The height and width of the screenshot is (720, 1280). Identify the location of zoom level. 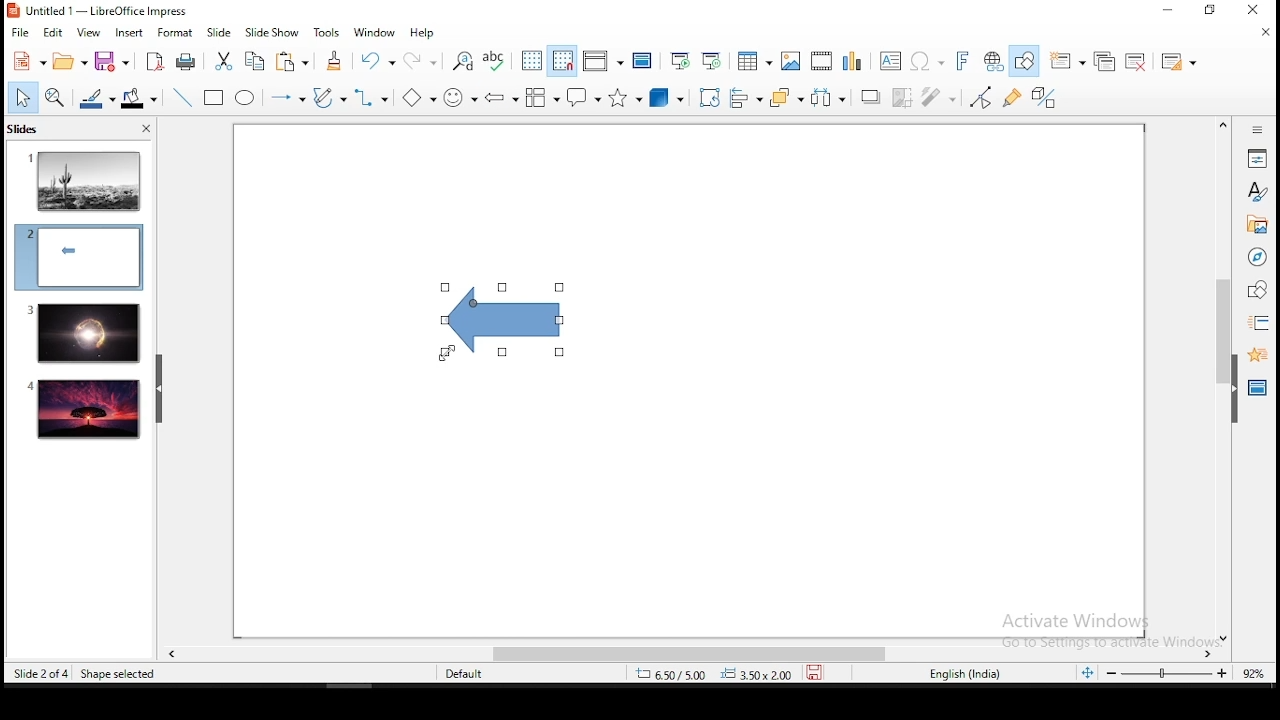
(1254, 672).